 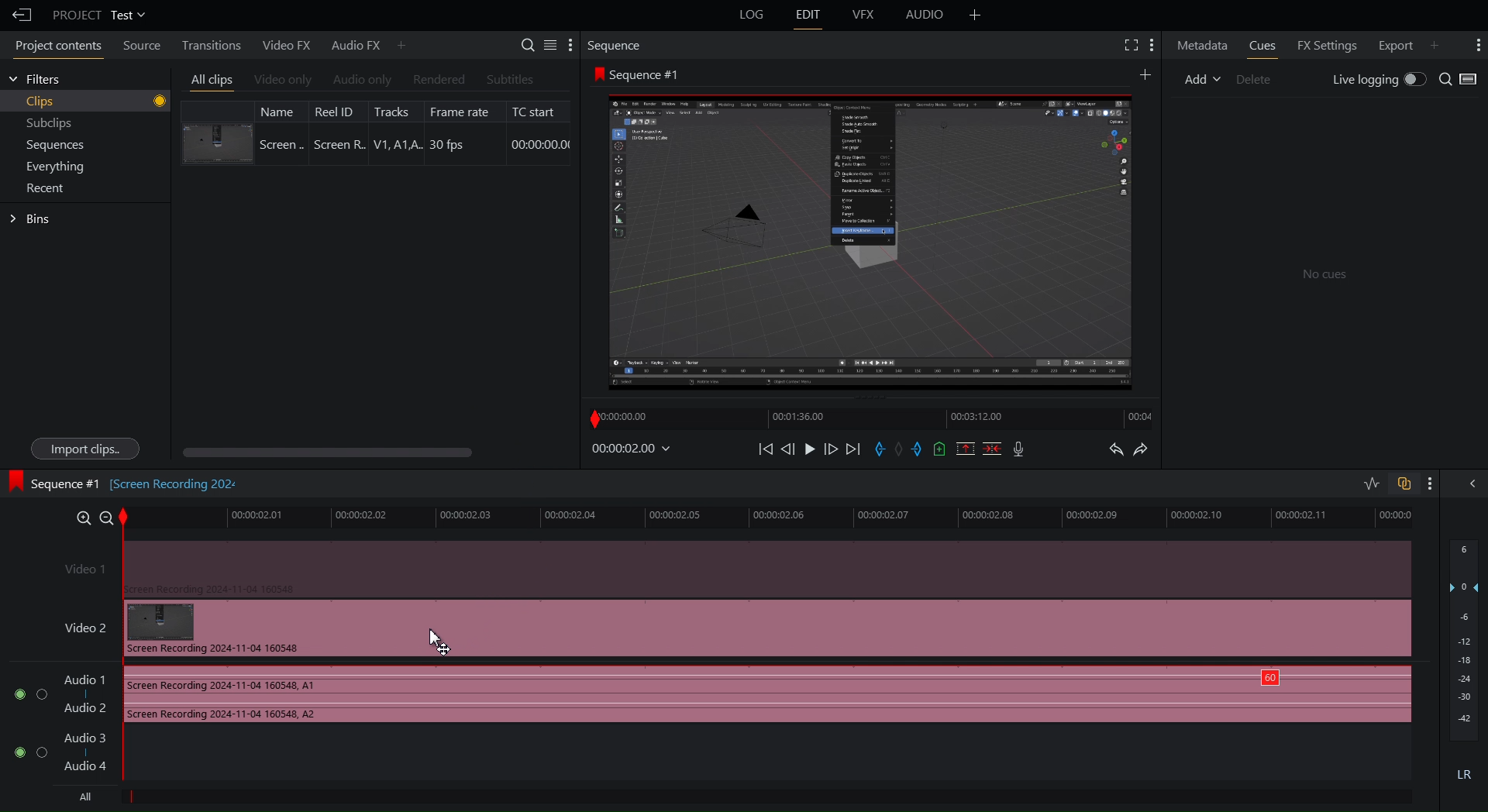 What do you see at coordinates (50, 126) in the screenshot?
I see `Subclips` at bounding box center [50, 126].